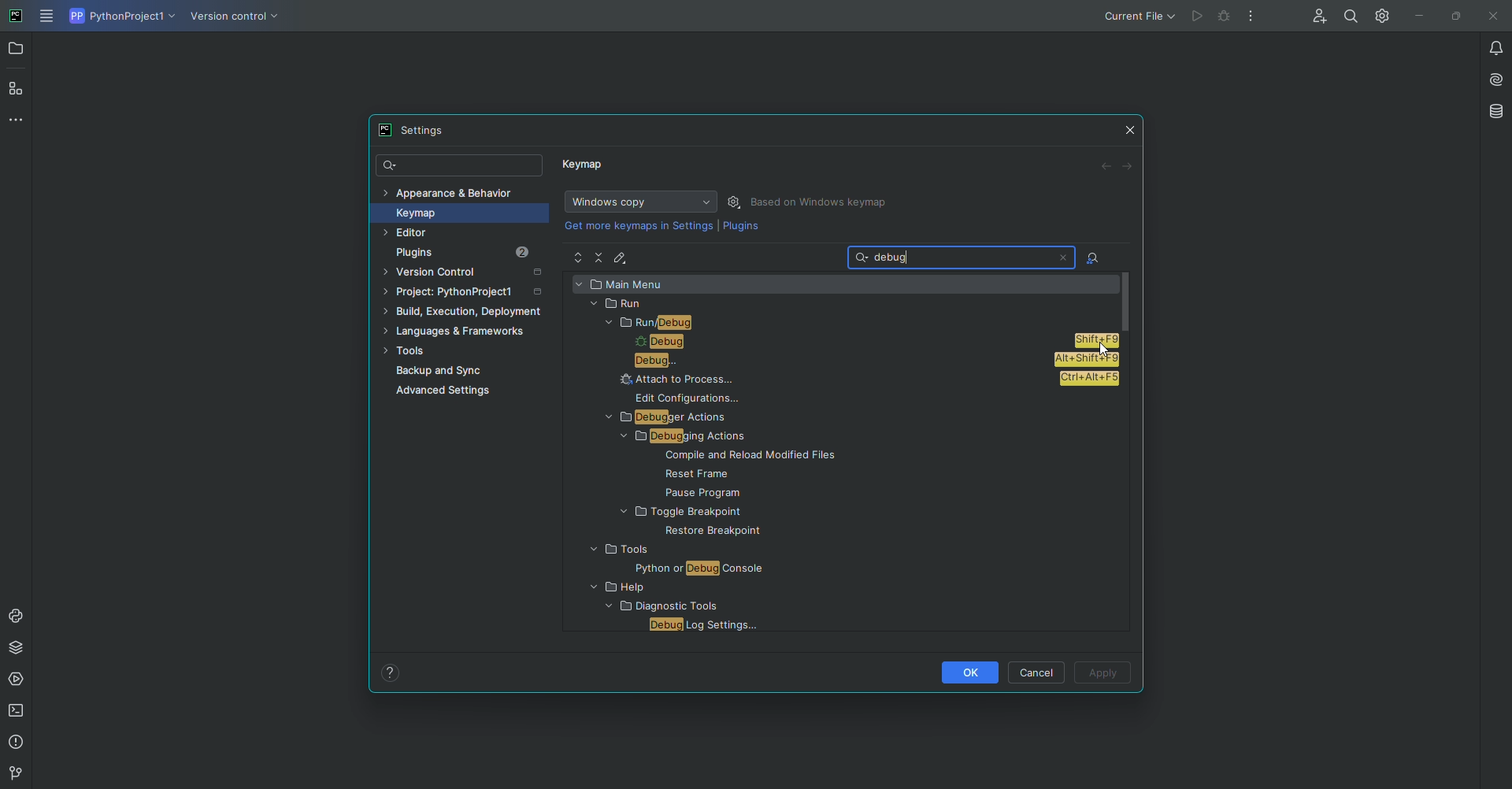 The image size is (1512, 789). I want to click on Search, so click(461, 166).